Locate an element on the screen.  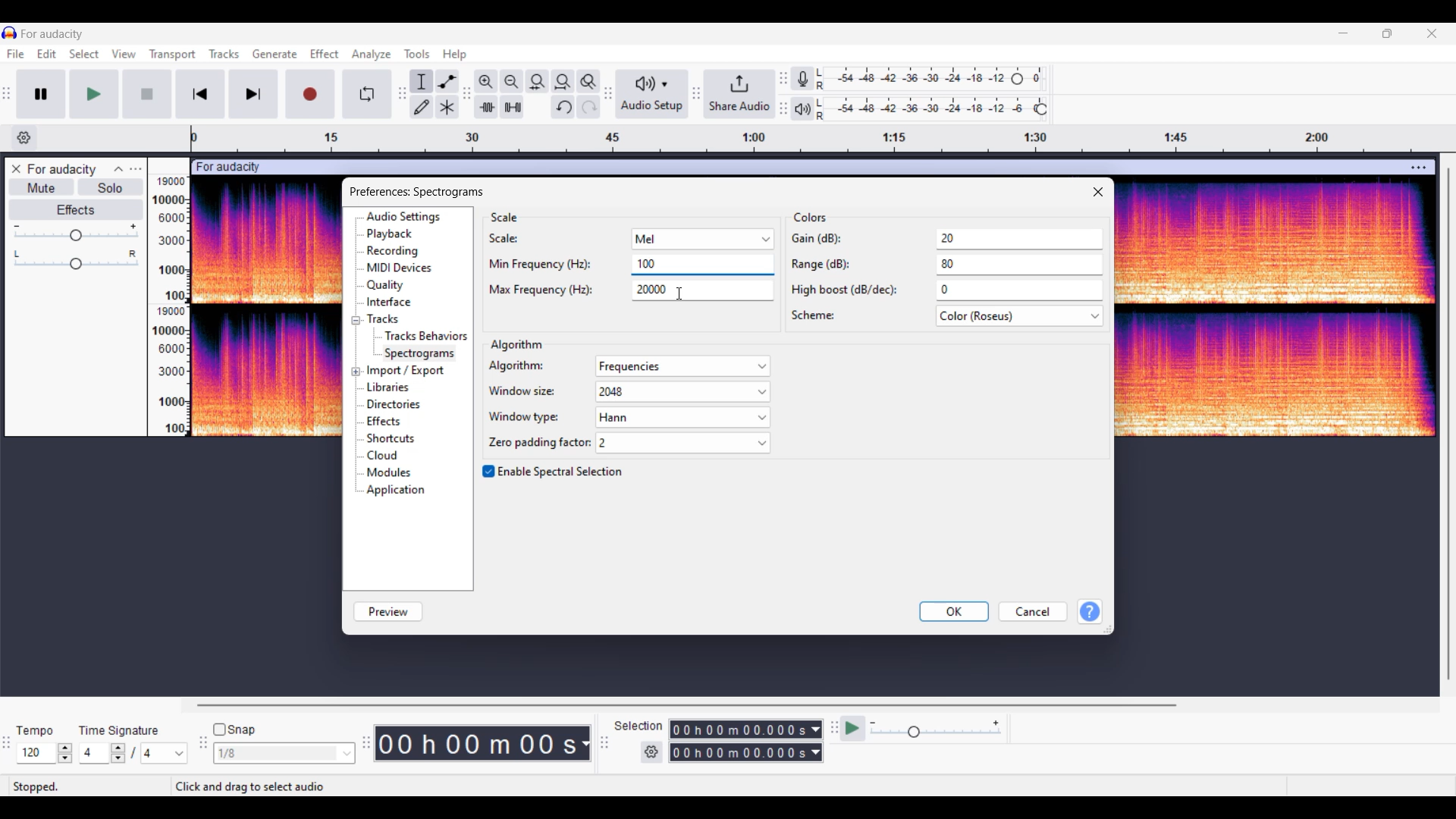
Selection duration is located at coordinates (739, 741).